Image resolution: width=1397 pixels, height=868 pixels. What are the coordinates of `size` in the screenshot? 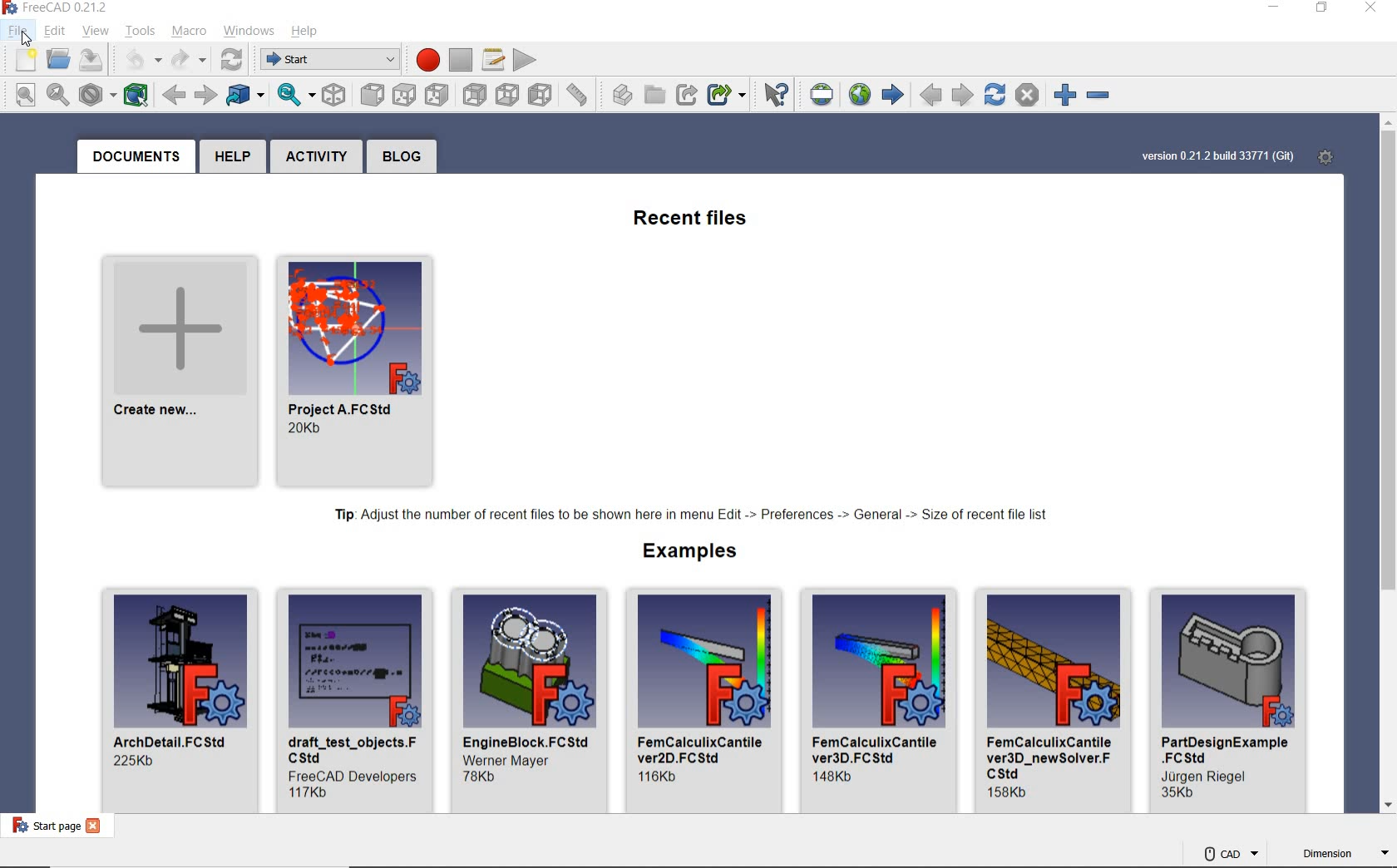 It's located at (837, 777).